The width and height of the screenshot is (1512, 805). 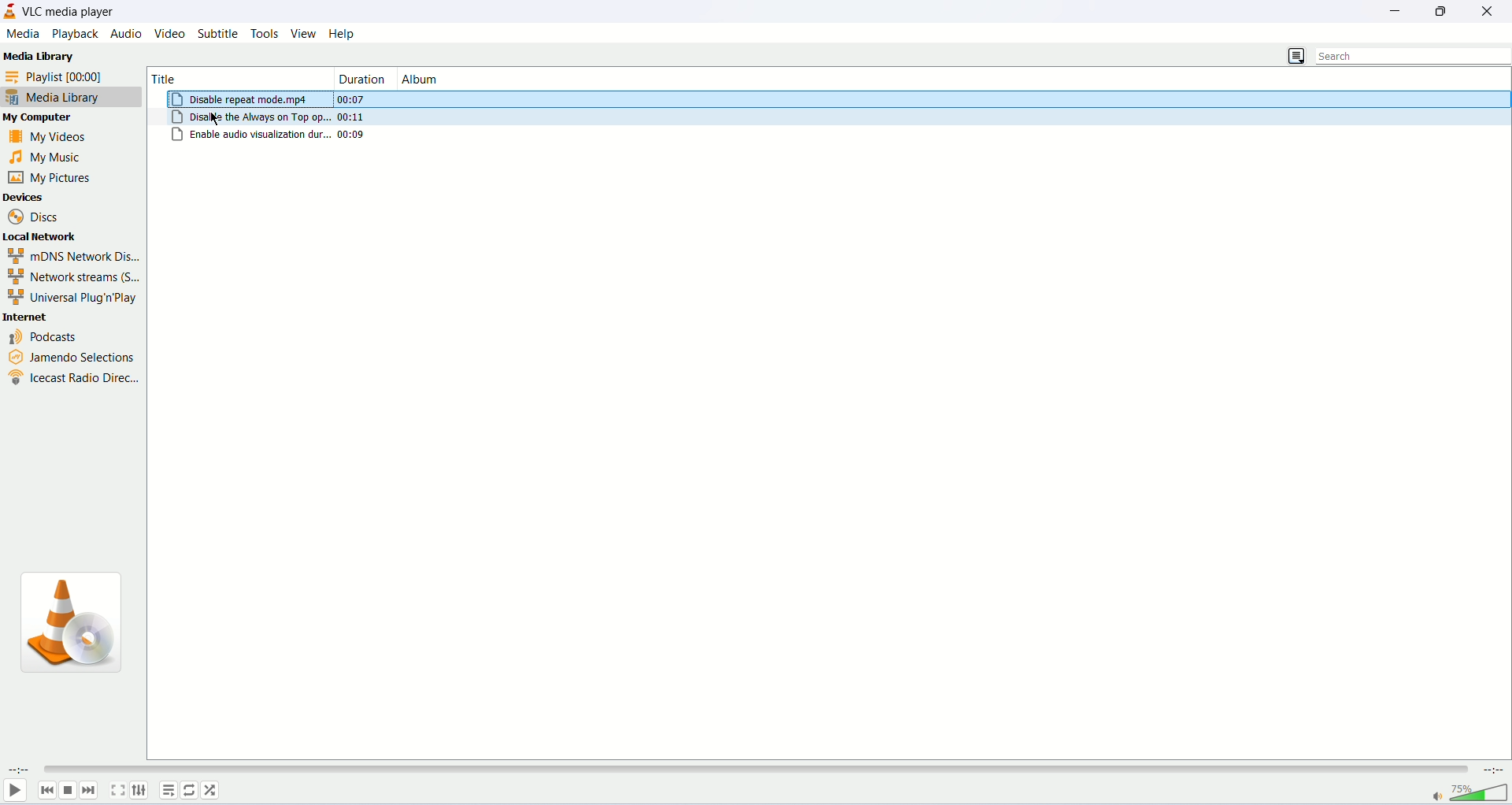 What do you see at coordinates (355, 99) in the screenshot?
I see `00:07` at bounding box center [355, 99].